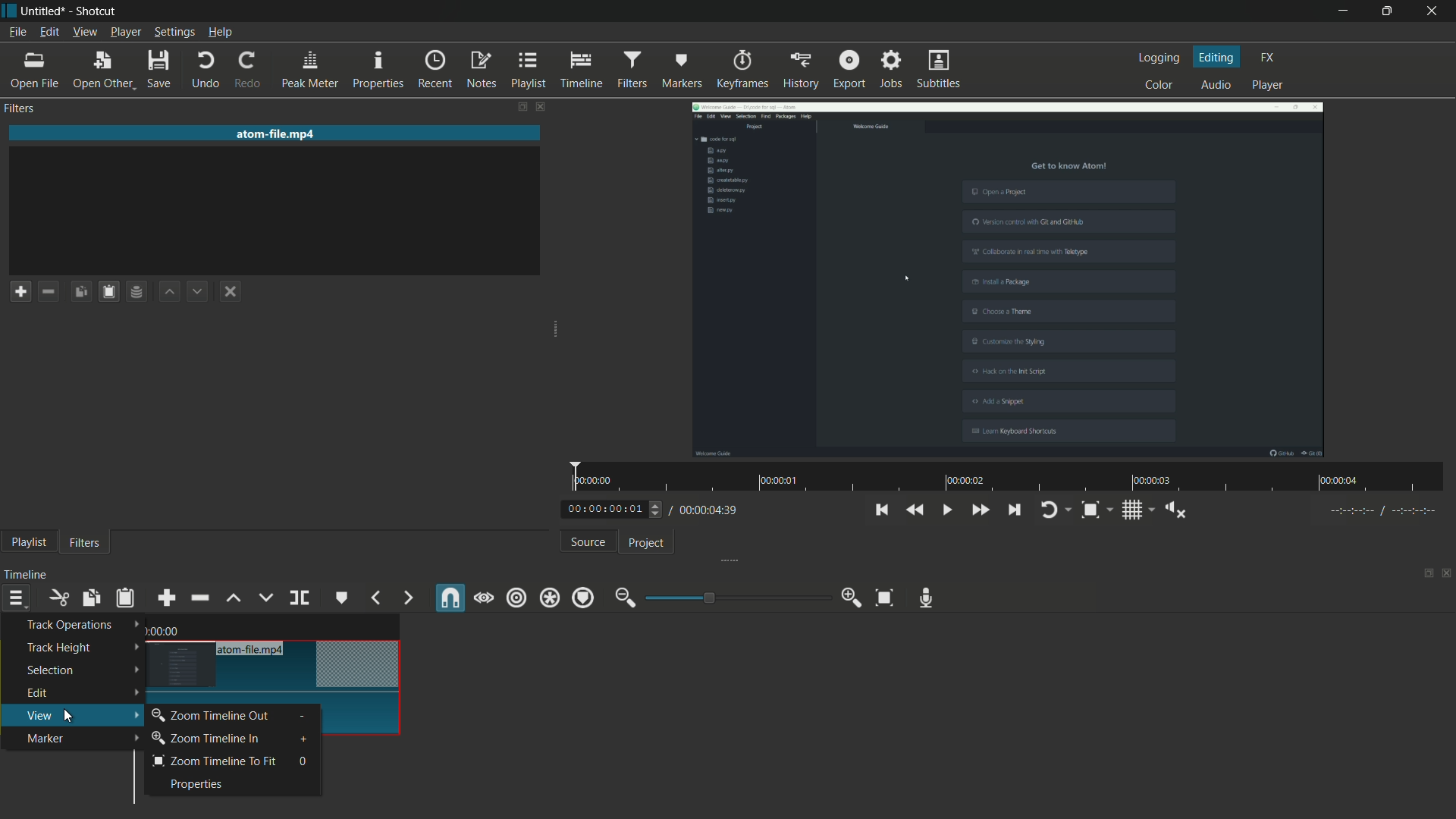 Image resolution: width=1456 pixels, height=819 pixels. I want to click on time, so click(165, 631).